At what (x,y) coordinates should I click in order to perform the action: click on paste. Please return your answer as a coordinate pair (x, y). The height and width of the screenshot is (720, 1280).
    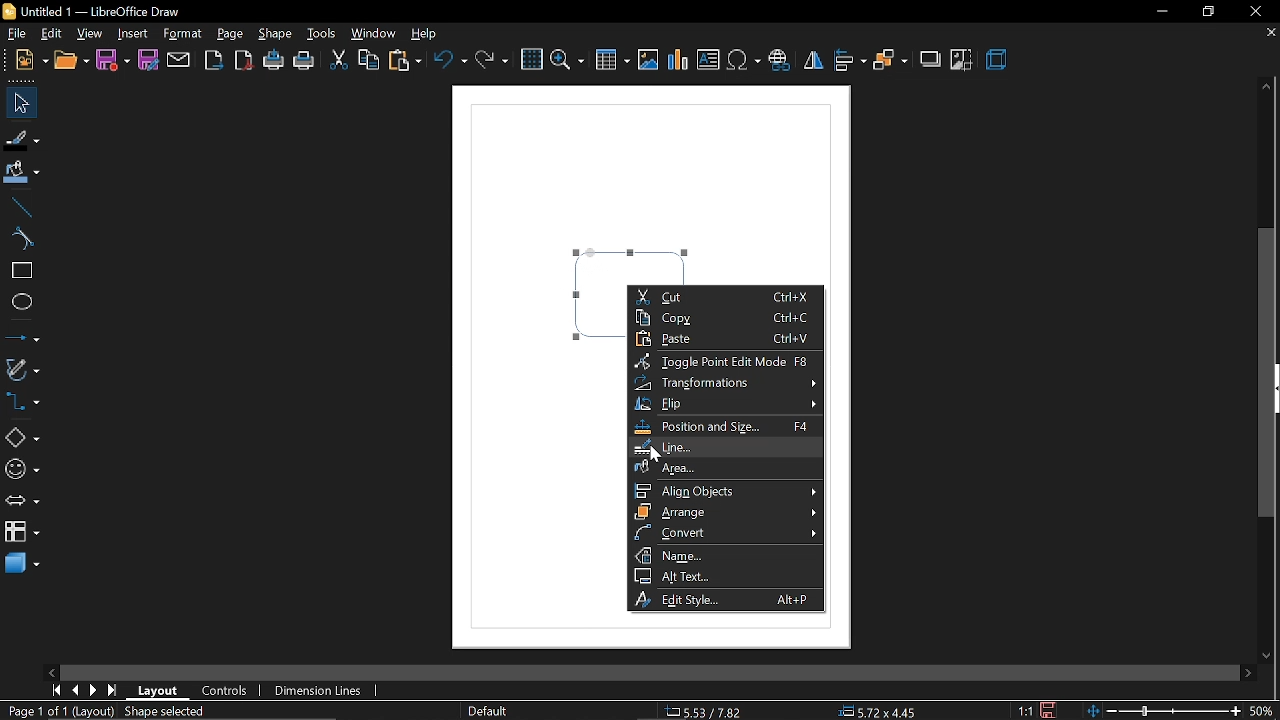
    Looking at the image, I should click on (725, 339).